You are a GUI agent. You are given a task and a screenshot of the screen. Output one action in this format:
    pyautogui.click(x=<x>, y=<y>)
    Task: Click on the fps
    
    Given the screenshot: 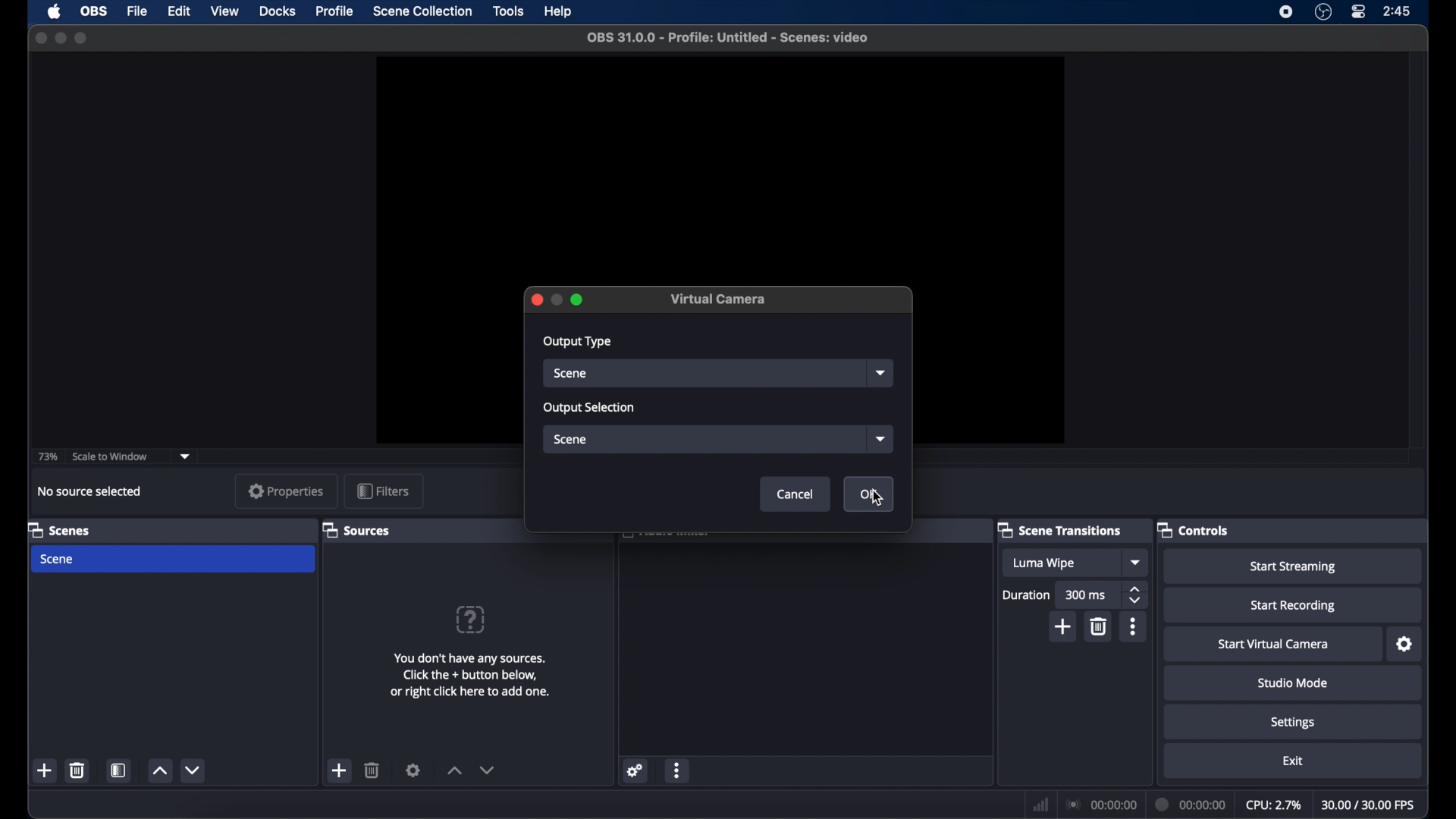 What is the action you would take?
    pyautogui.click(x=1369, y=805)
    